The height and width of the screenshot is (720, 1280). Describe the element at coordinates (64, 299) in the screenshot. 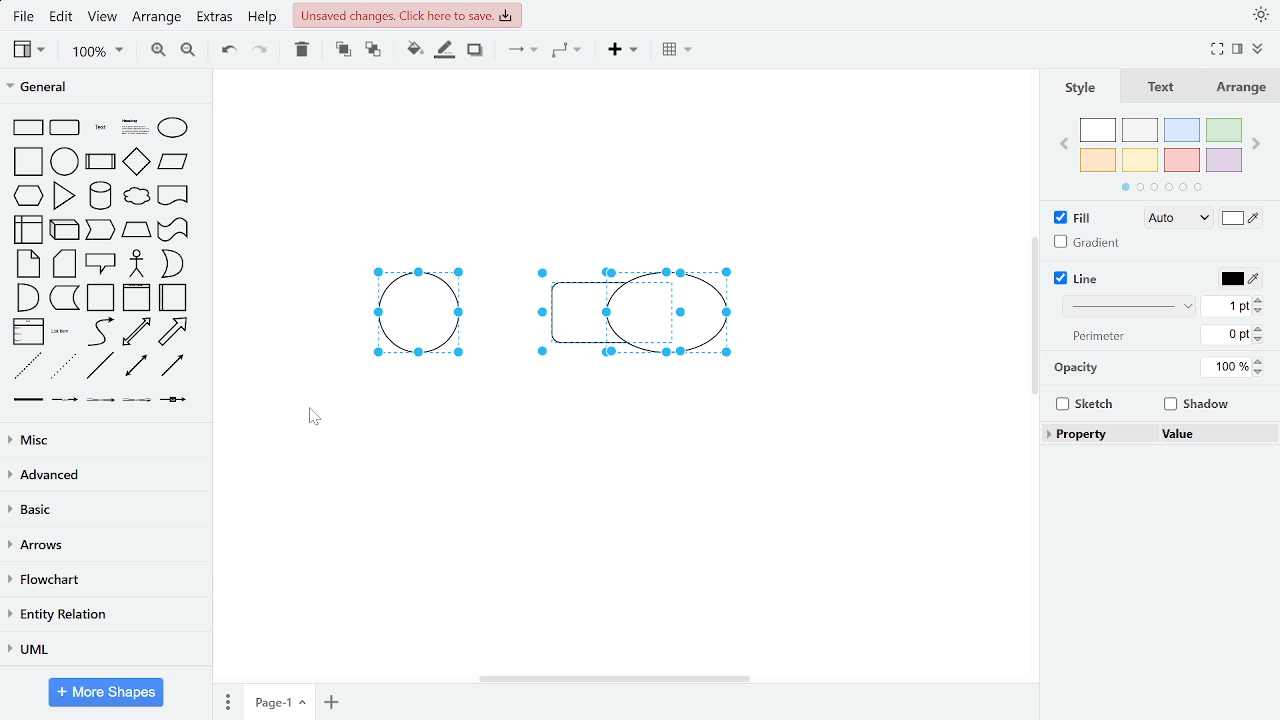

I see `step` at that location.